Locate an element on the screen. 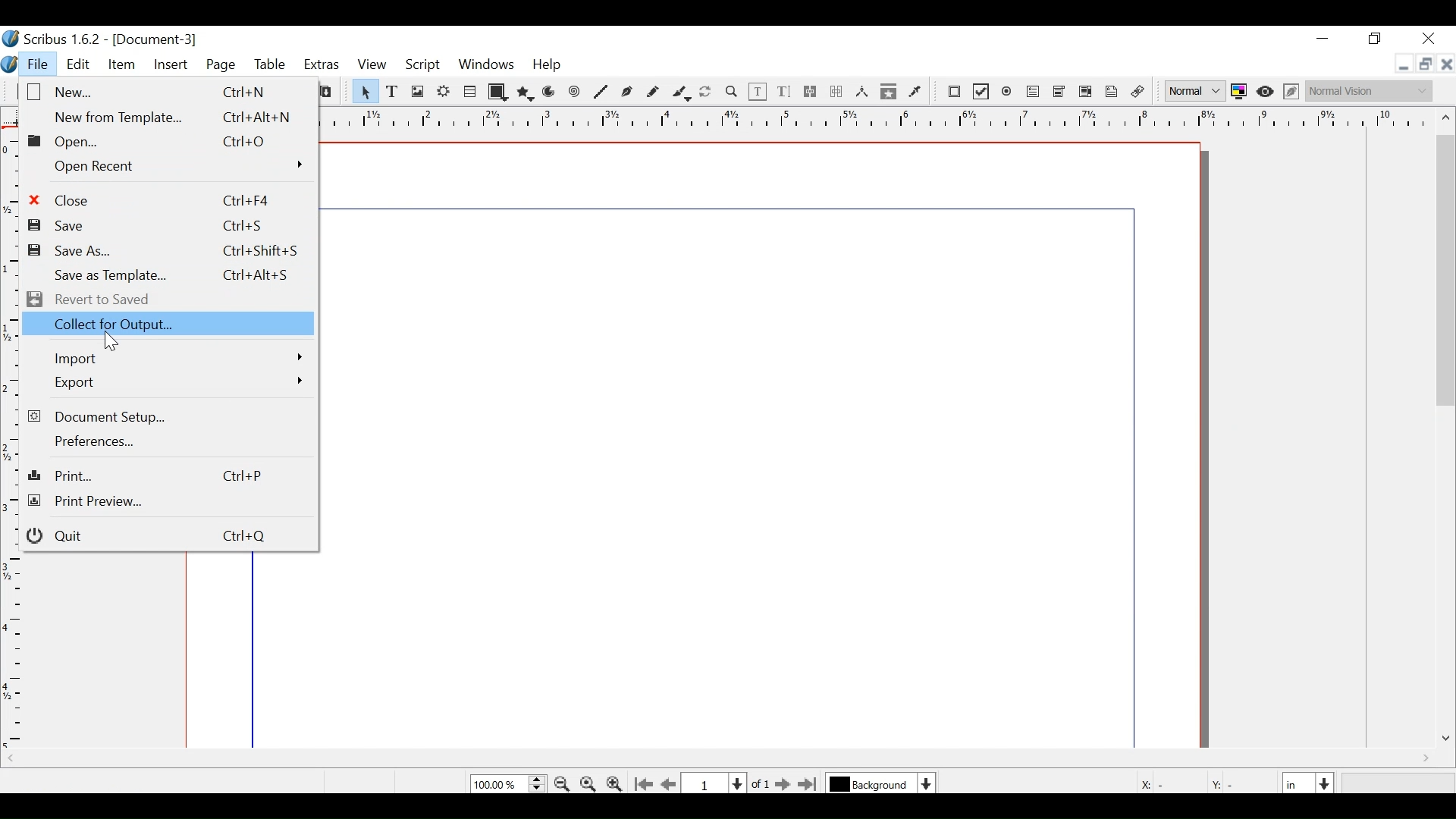 This screenshot has height=819, width=1456. Close is located at coordinates (1446, 62).